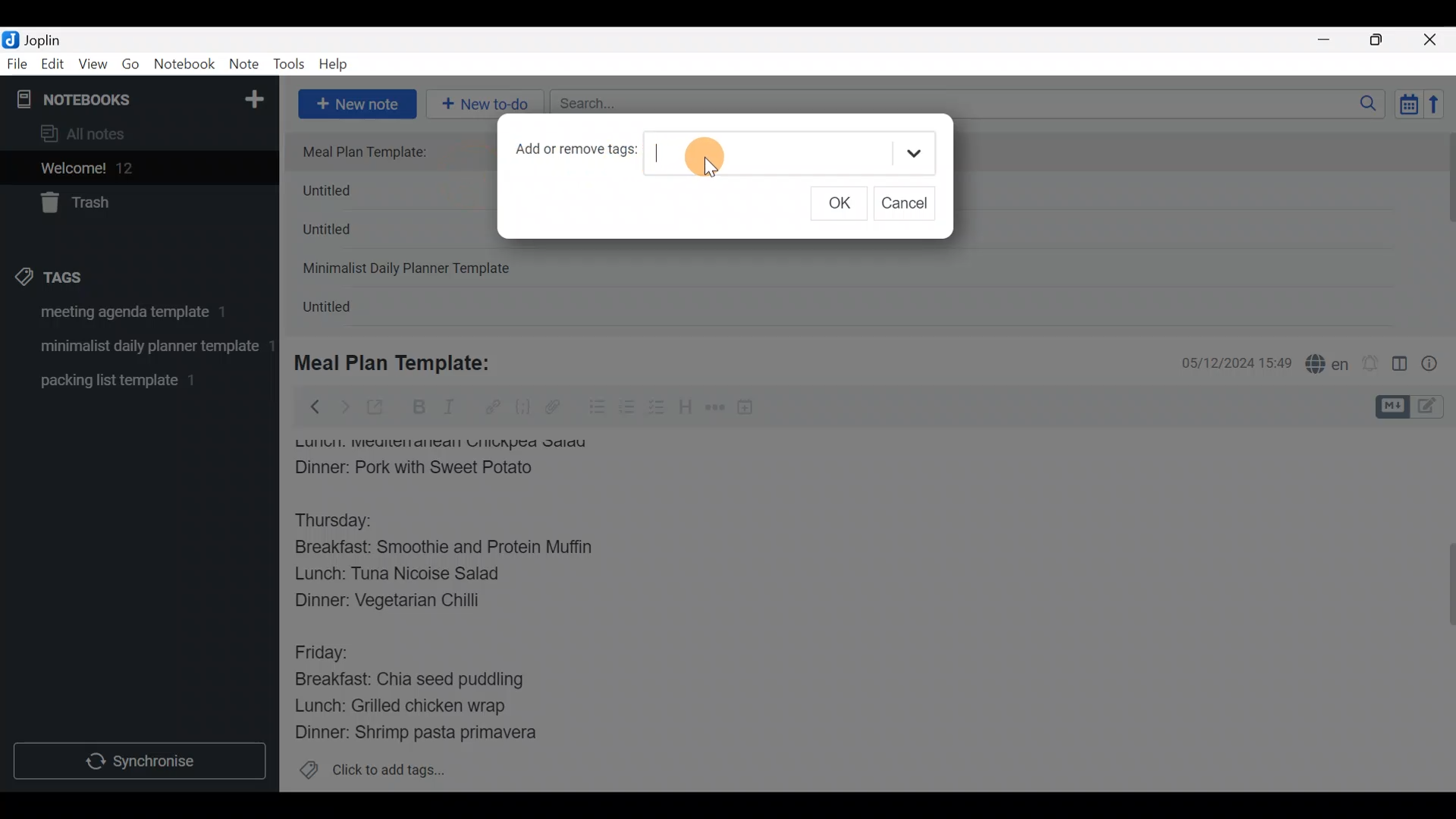 This screenshot has height=819, width=1456. I want to click on Breakfast: Smoothie and Protein Muffin, so click(444, 551).